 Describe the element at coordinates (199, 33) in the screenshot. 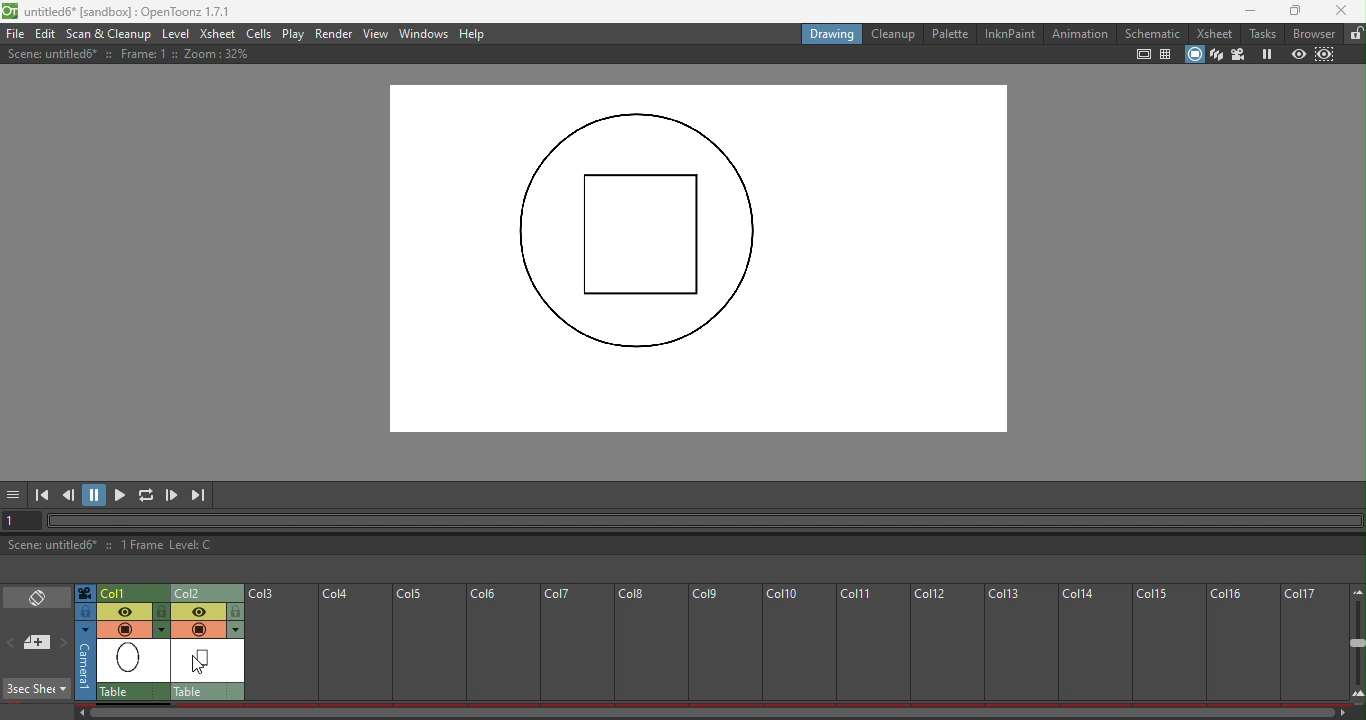

I see `Level Xsheet` at that location.